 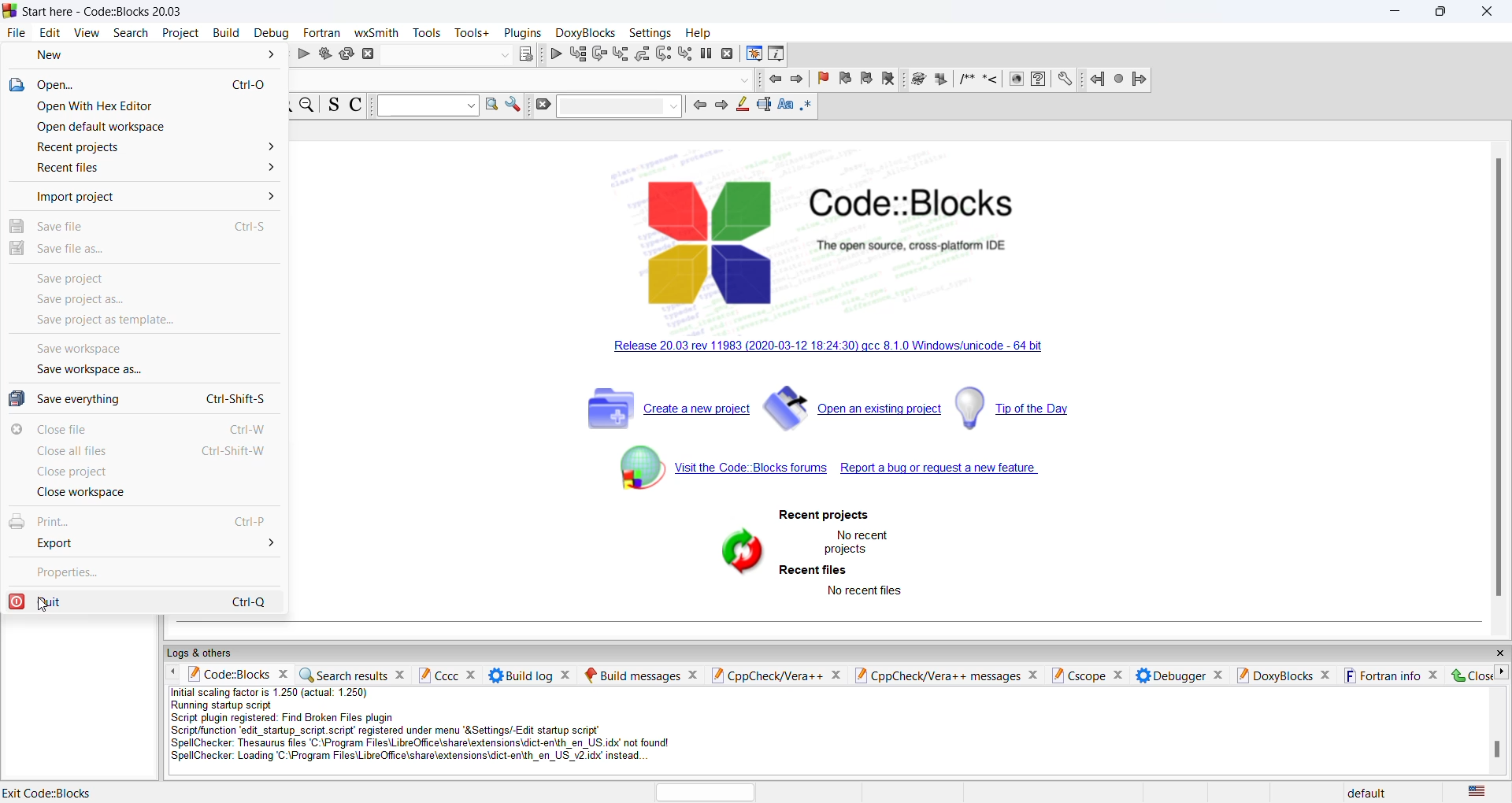 What do you see at coordinates (70, 574) in the screenshot?
I see `Properties...` at bounding box center [70, 574].